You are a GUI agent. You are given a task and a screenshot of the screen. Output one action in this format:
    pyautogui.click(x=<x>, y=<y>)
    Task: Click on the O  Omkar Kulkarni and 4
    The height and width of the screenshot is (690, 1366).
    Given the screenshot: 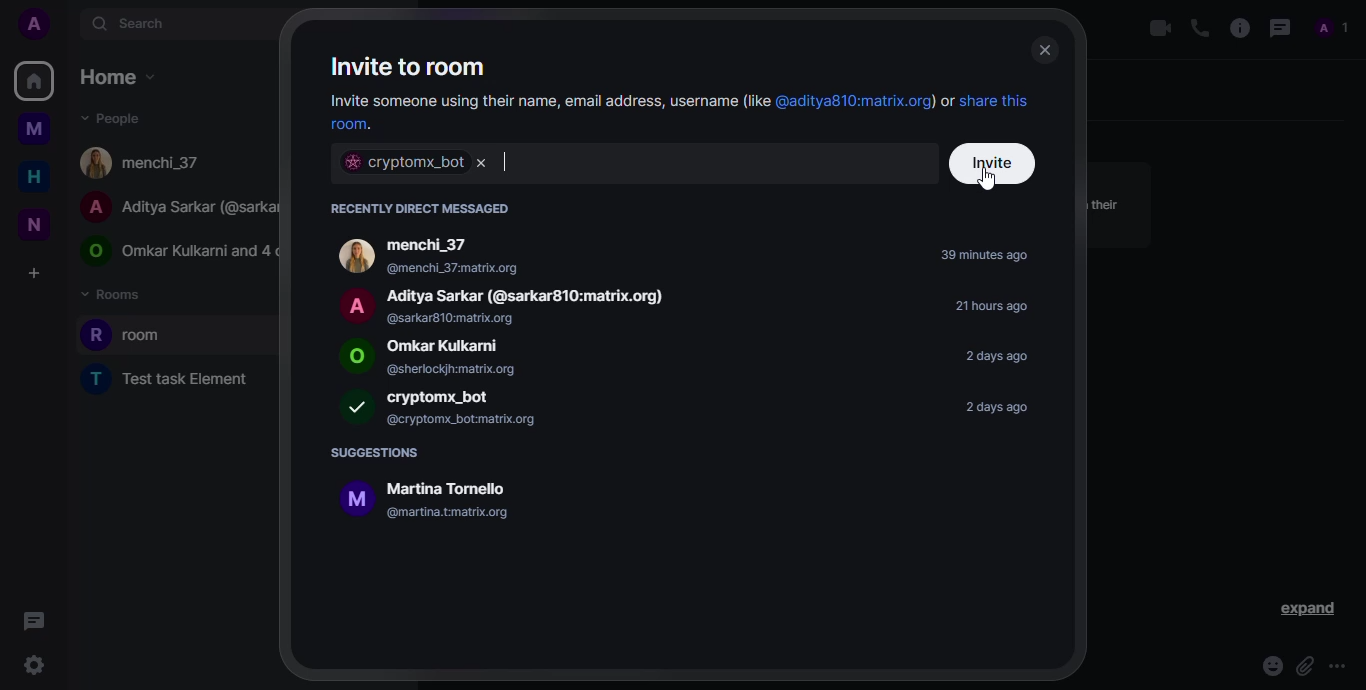 What is the action you would take?
    pyautogui.click(x=176, y=252)
    